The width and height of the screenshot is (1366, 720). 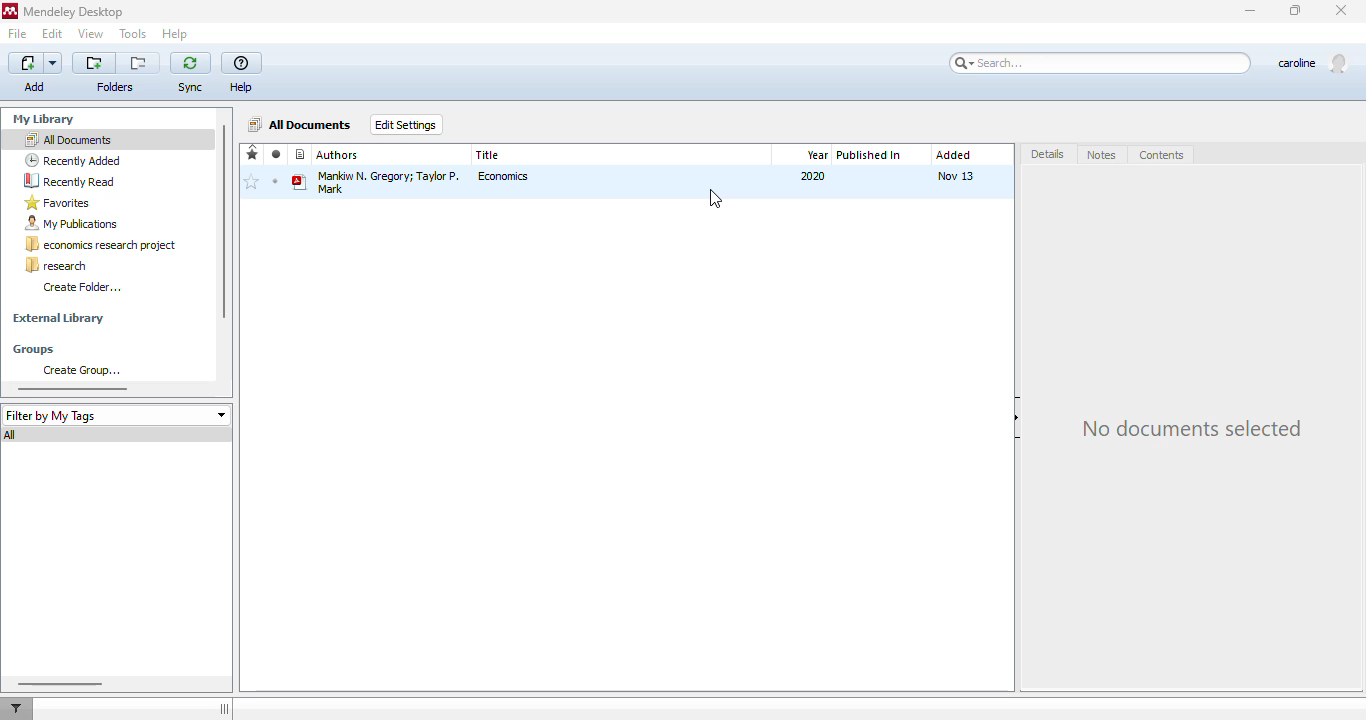 What do you see at coordinates (59, 317) in the screenshot?
I see `external library` at bounding box center [59, 317].